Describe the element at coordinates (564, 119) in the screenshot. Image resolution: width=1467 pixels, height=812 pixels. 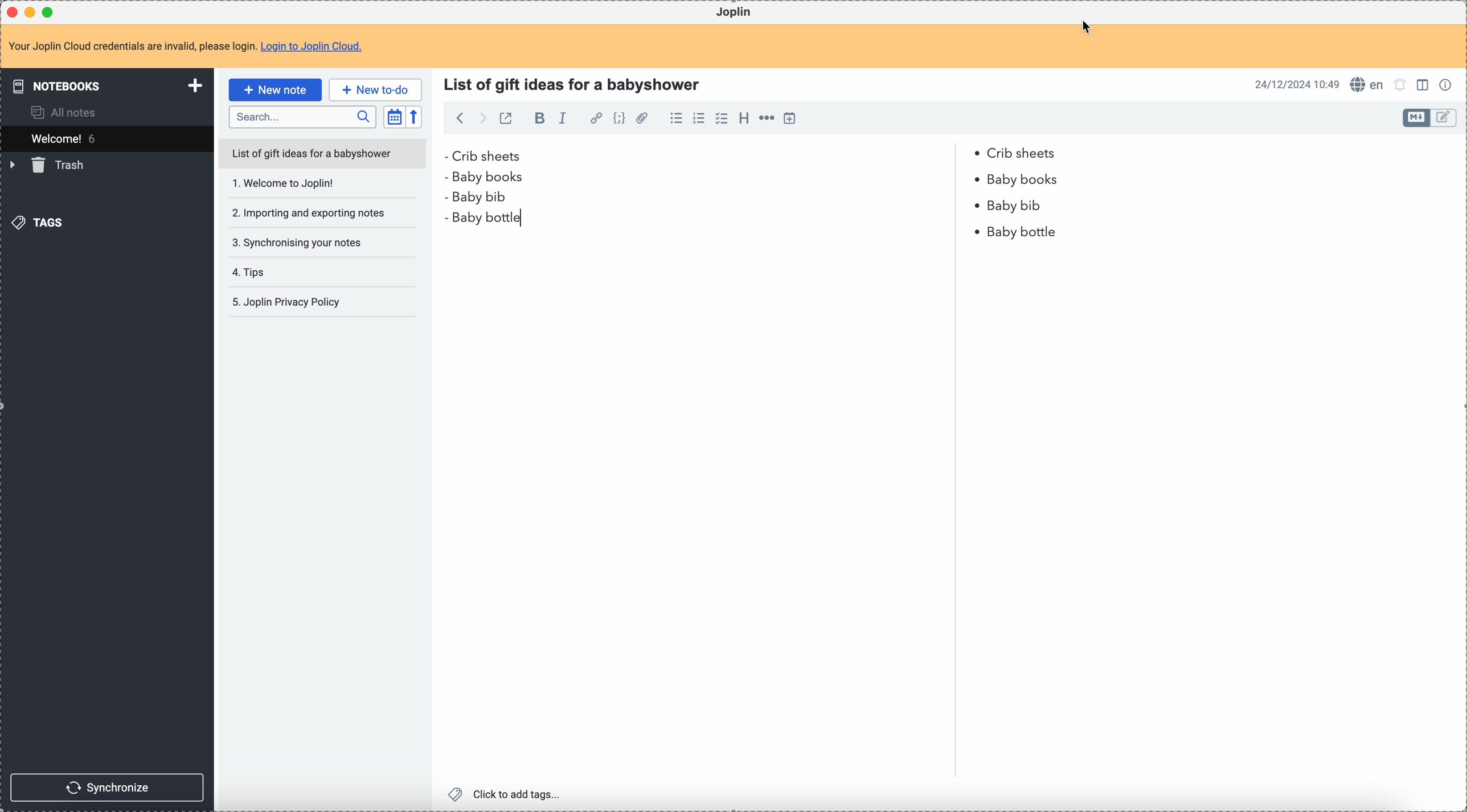
I see `italic` at that location.